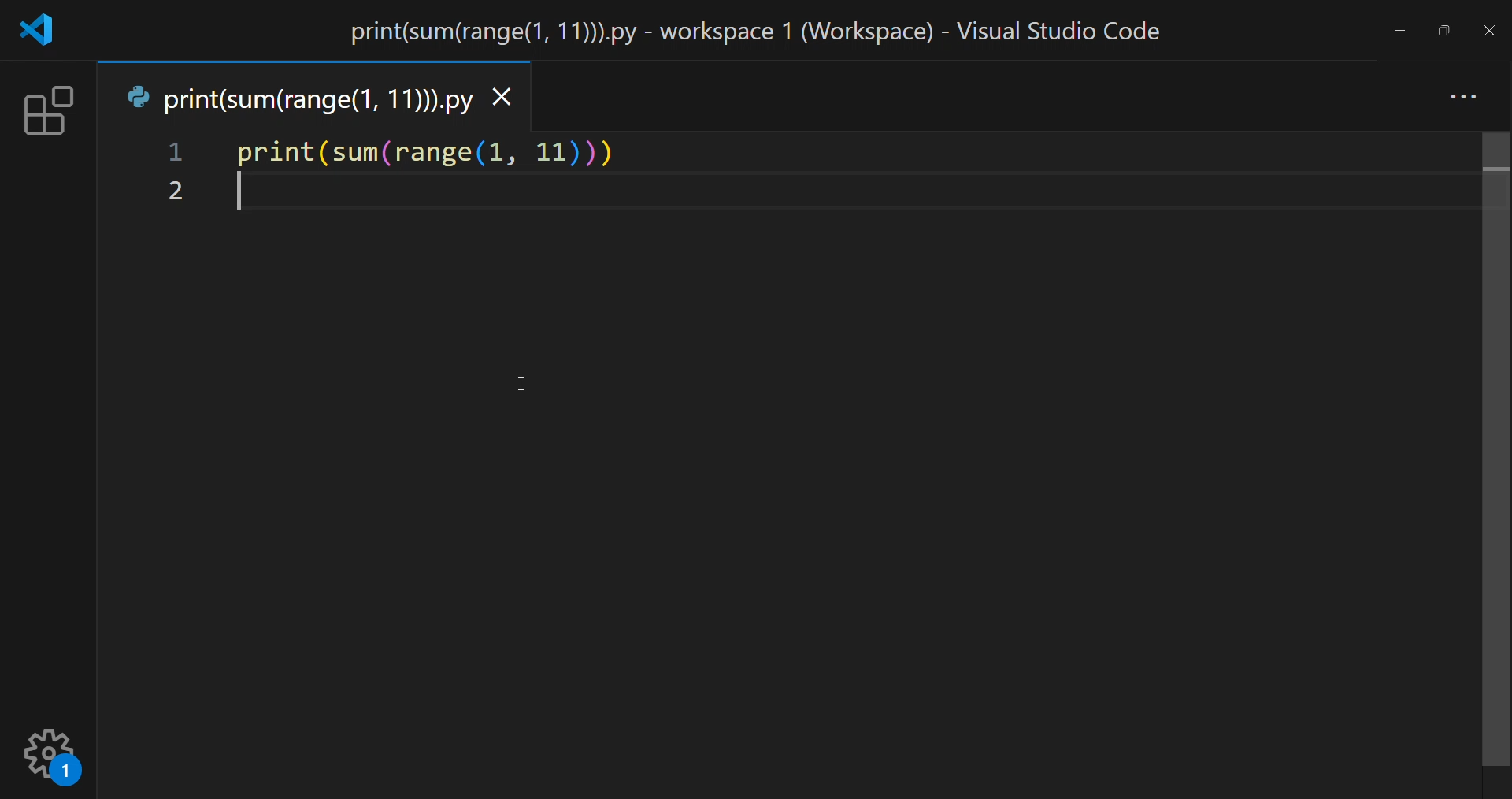 This screenshot has height=799, width=1512. I want to click on VSCode logo, so click(38, 31).